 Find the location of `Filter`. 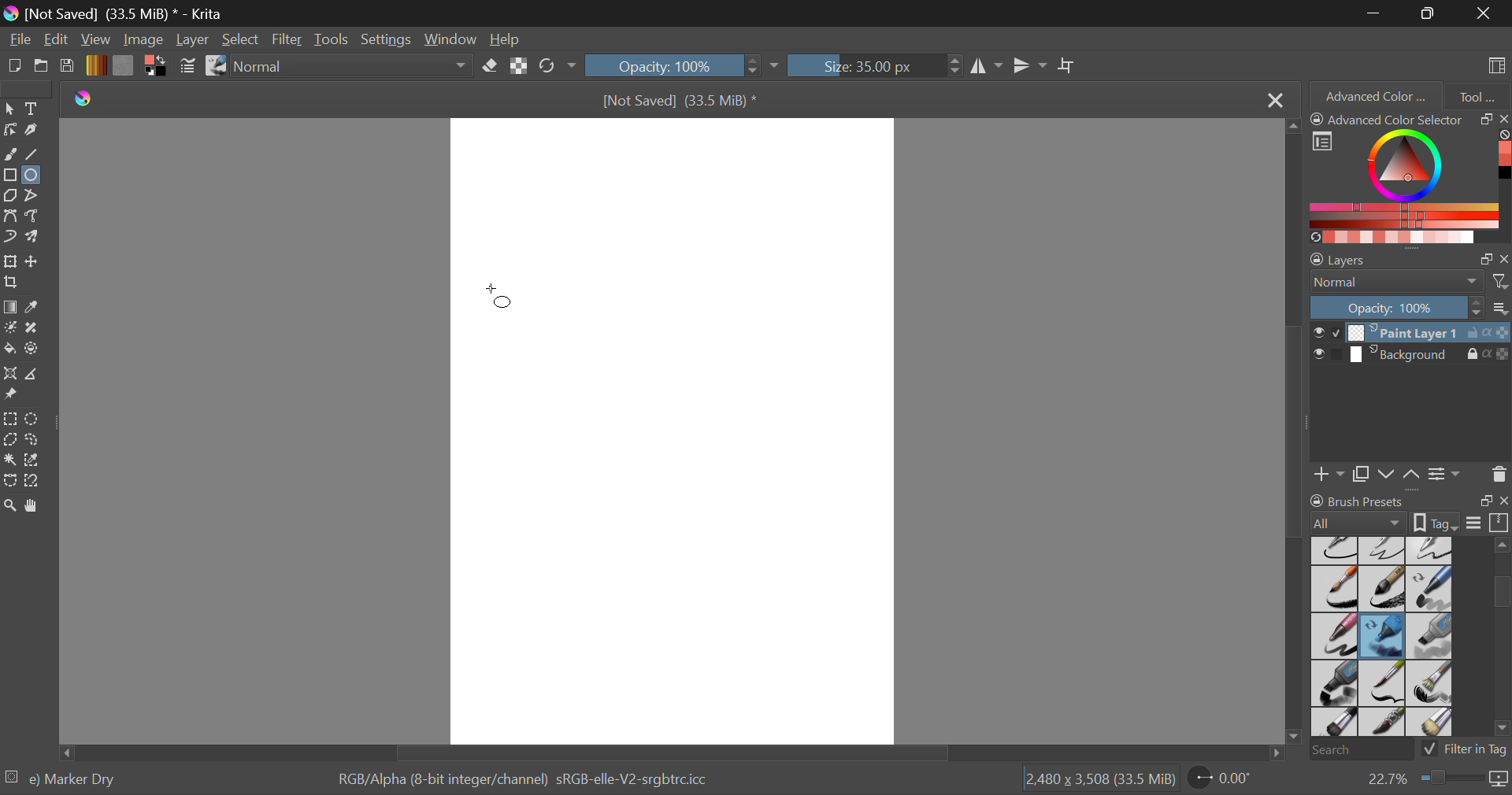

Filter is located at coordinates (289, 40).